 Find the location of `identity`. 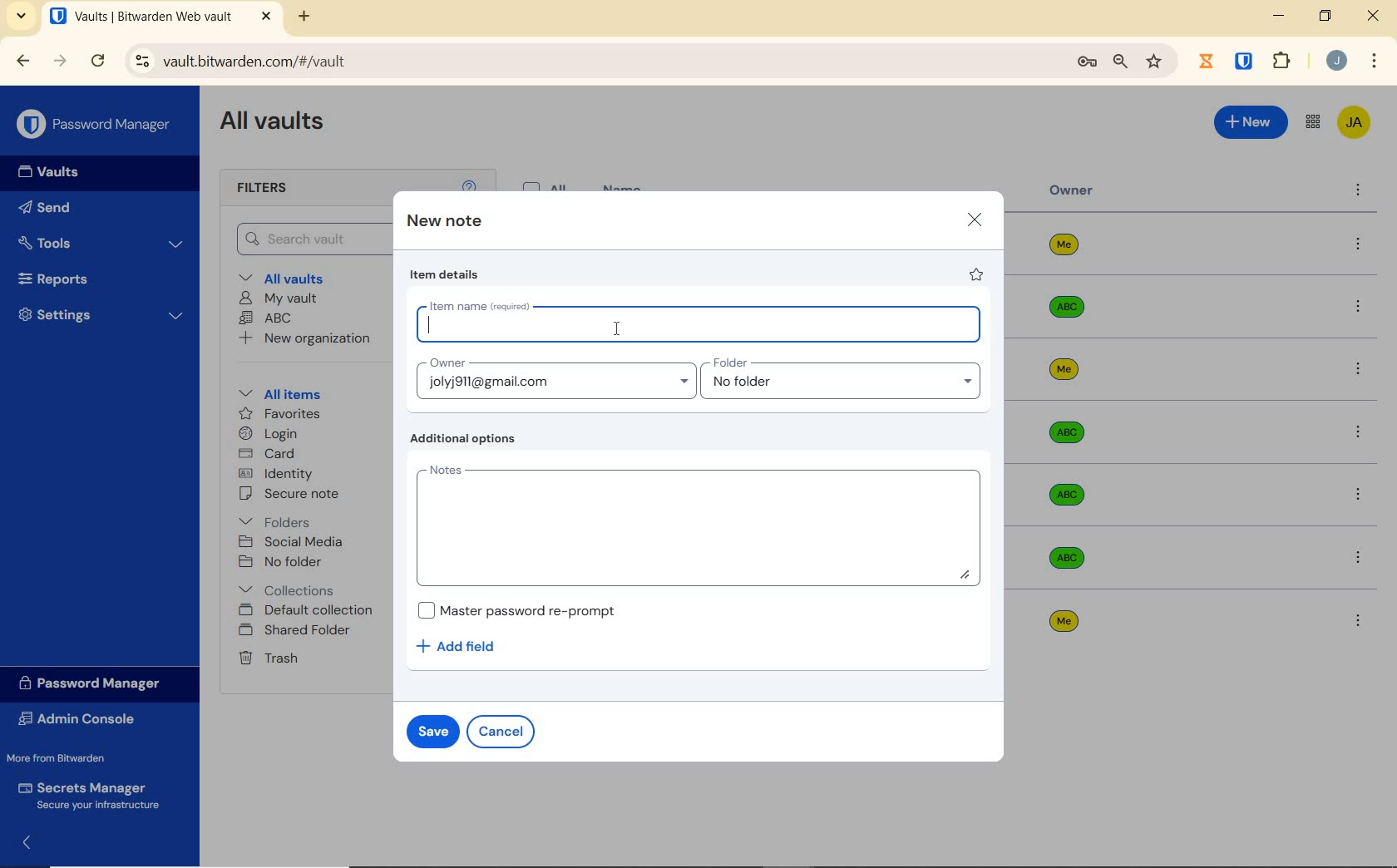

identity is located at coordinates (279, 474).